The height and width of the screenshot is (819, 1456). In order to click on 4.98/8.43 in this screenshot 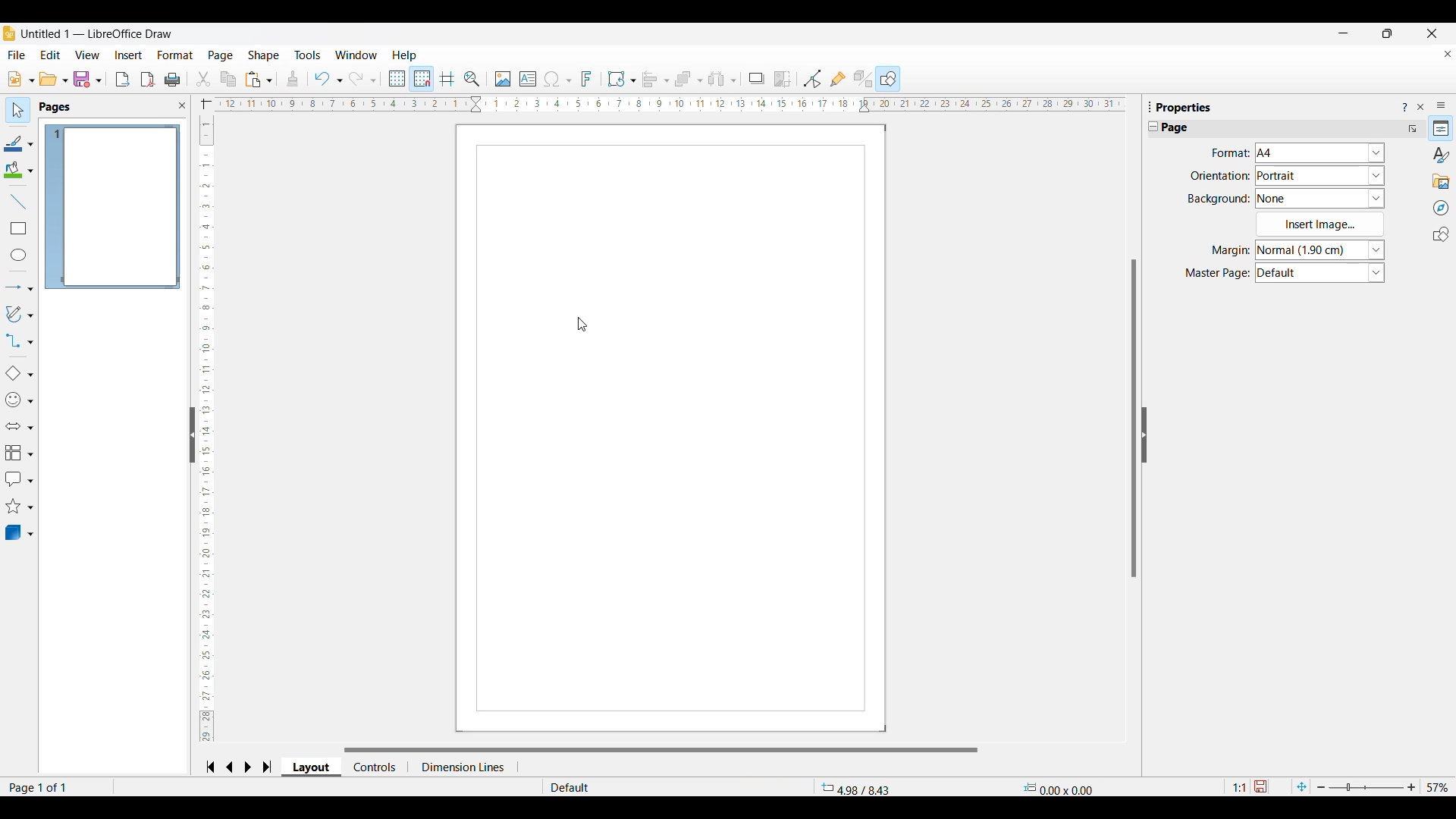, I will do `click(858, 786)`.